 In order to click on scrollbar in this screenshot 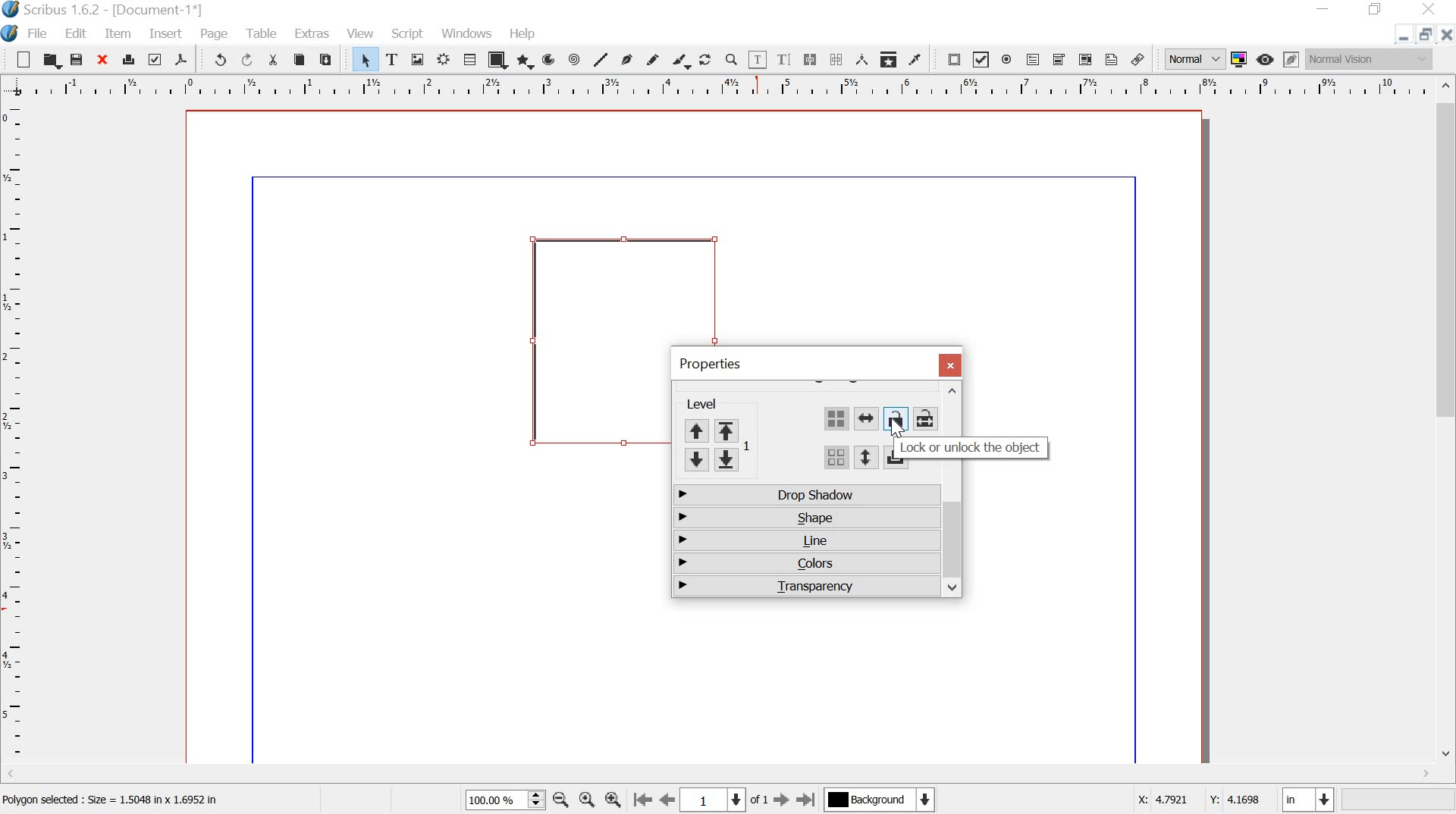, I will do `click(954, 546)`.